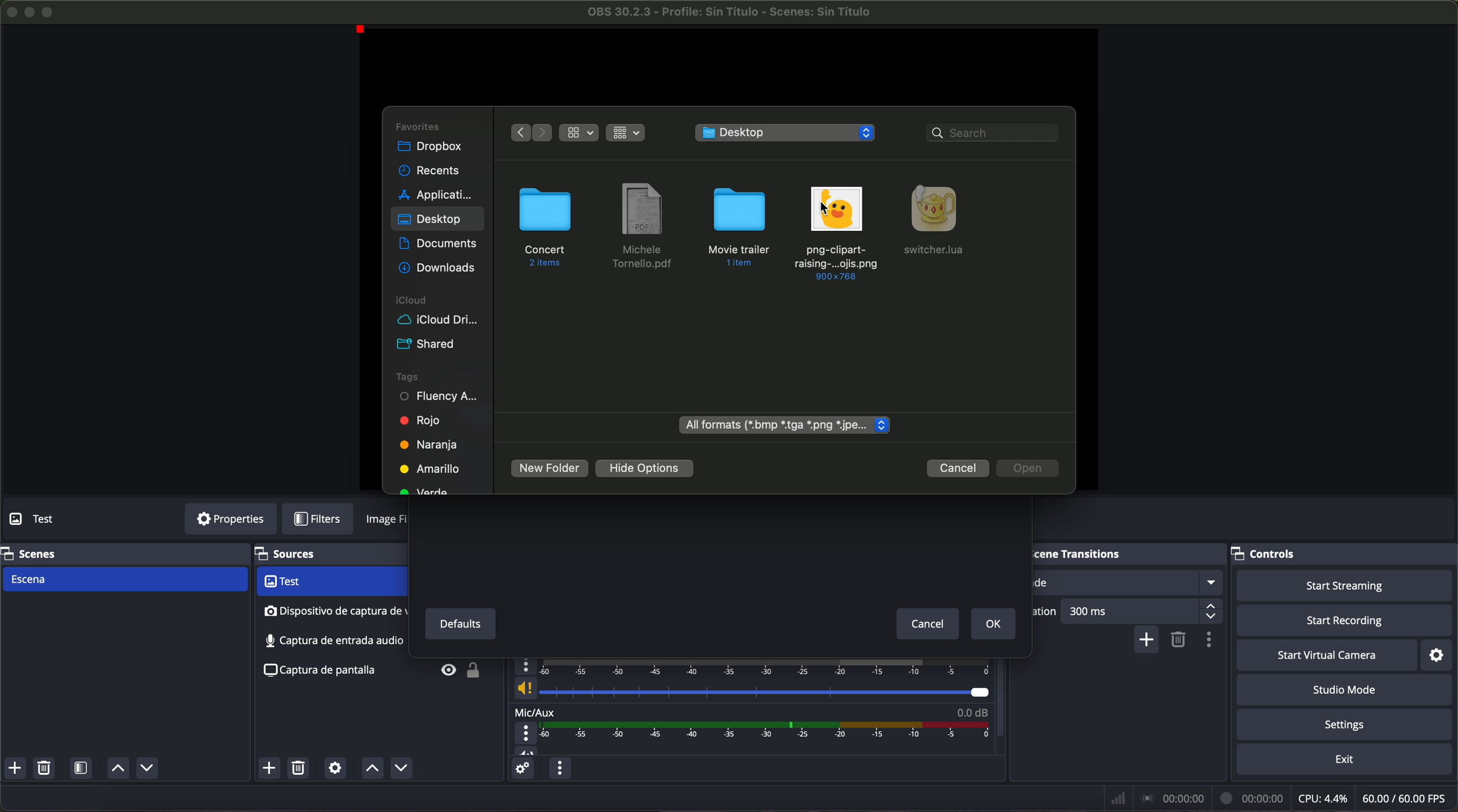 The width and height of the screenshot is (1458, 812). Describe the element at coordinates (430, 223) in the screenshot. I see `click on desktop` at that location.